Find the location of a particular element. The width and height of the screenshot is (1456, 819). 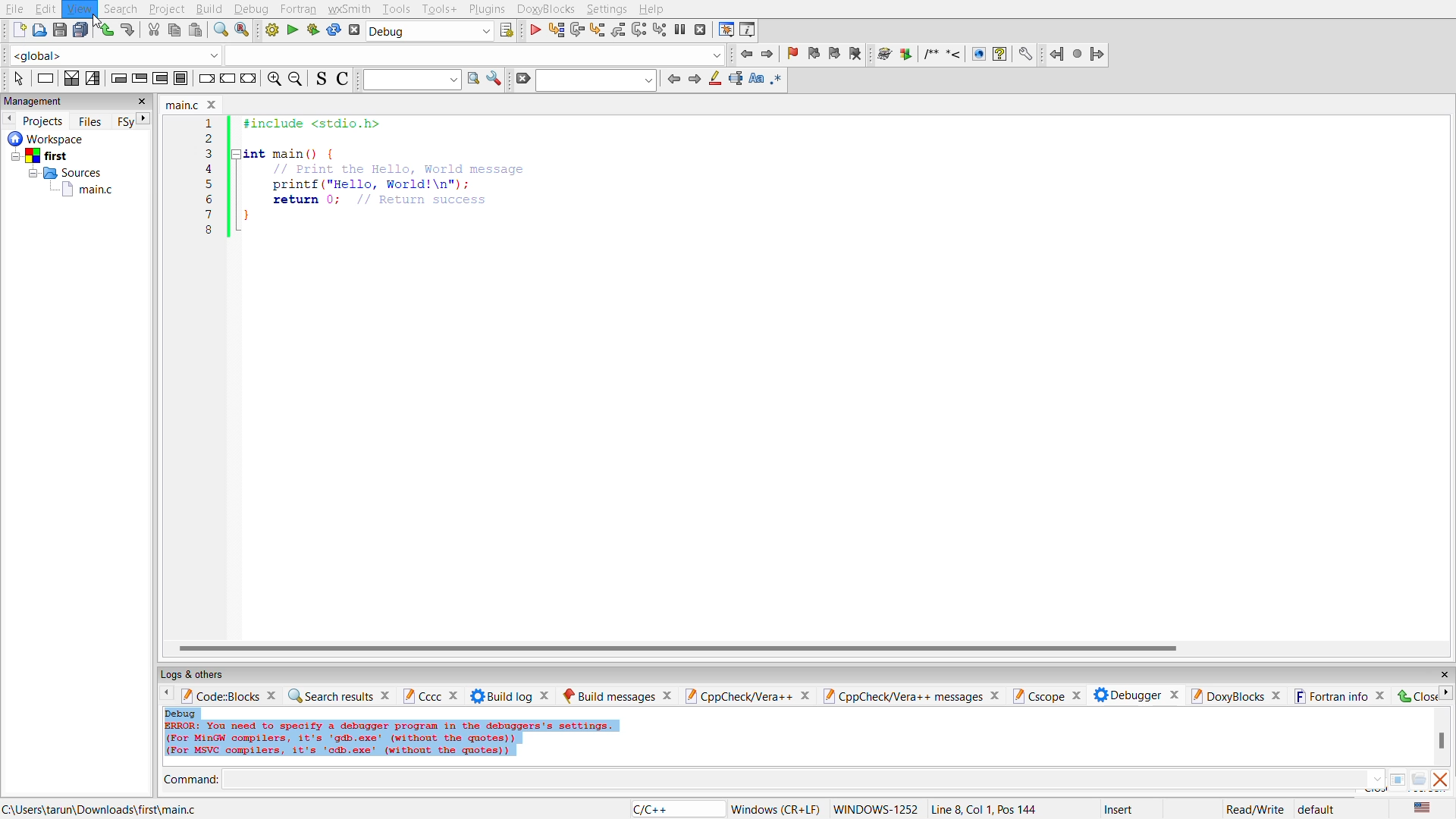

fortran info is located at coordinates (1340, 693).